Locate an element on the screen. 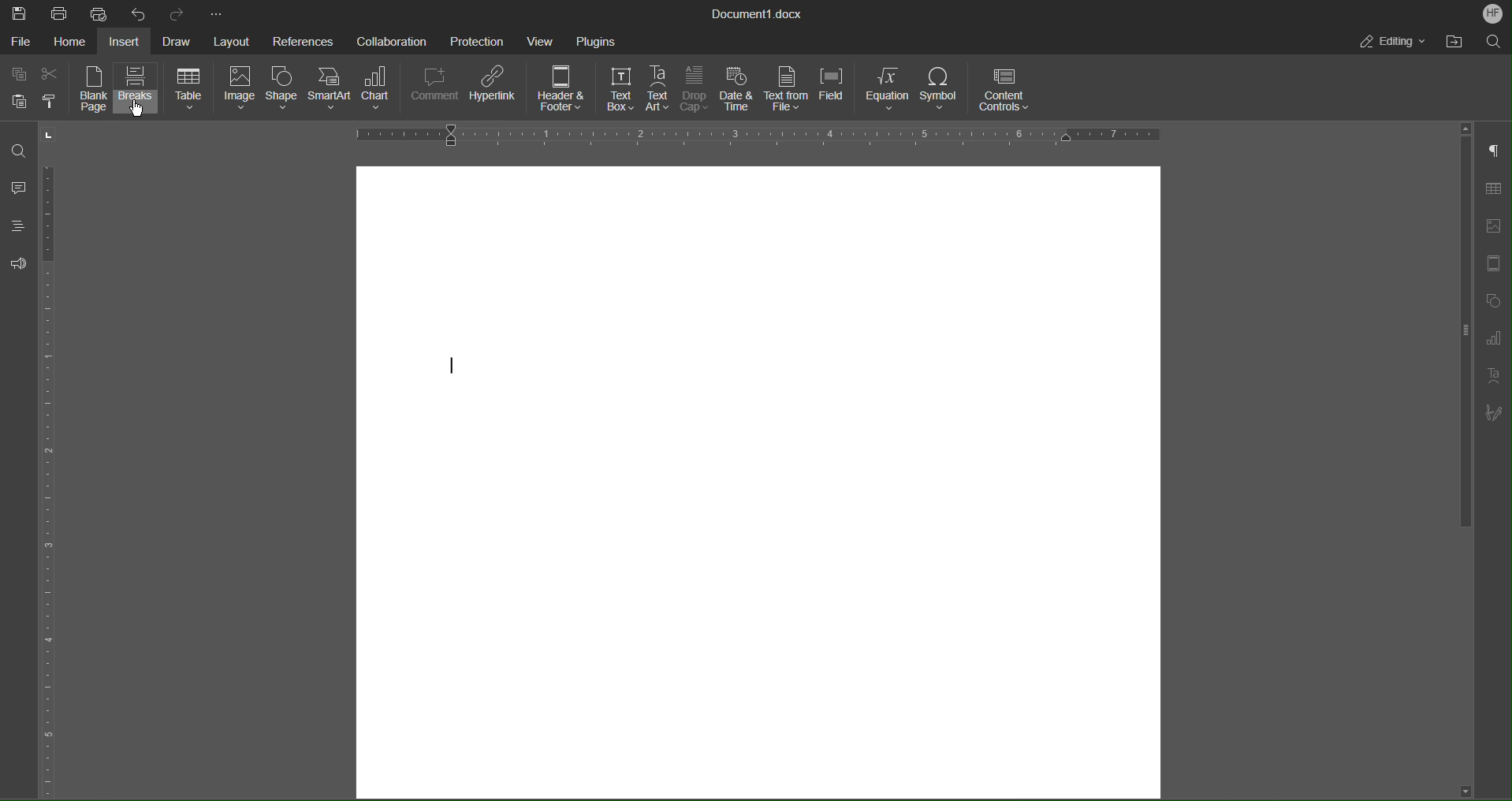  vertical scroll bar is located at coordinates (1460, 329).